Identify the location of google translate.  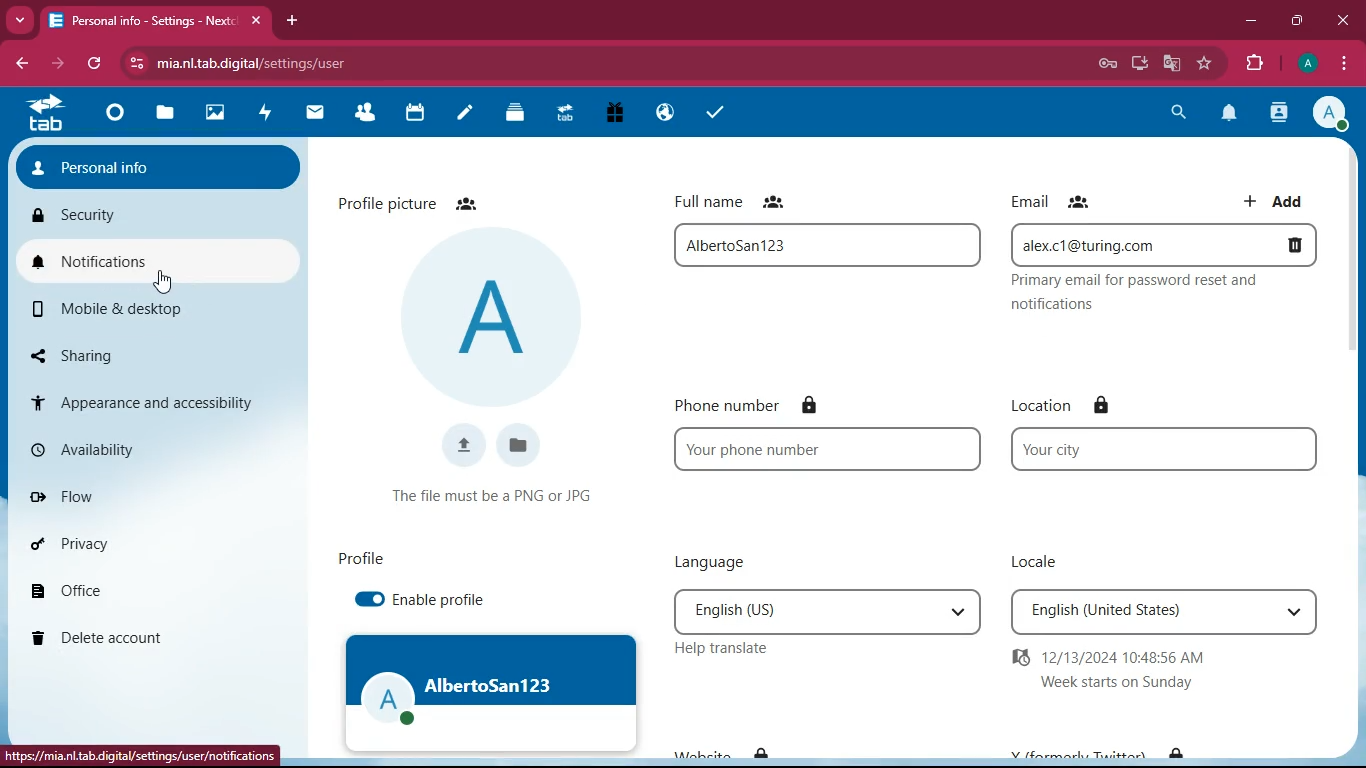
(1174, 61).